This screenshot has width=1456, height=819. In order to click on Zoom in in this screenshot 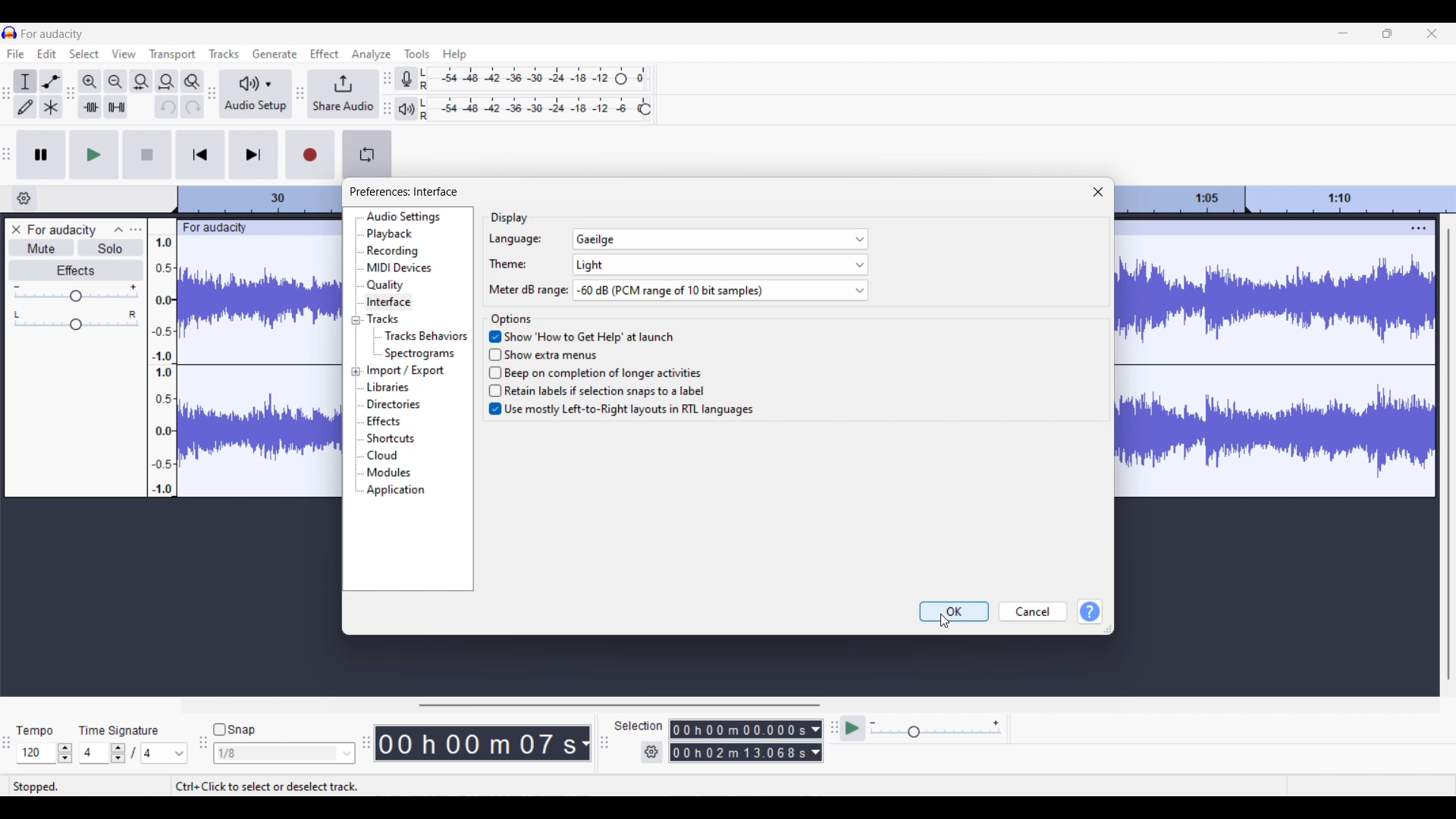, I will do `click(90, 82)`.